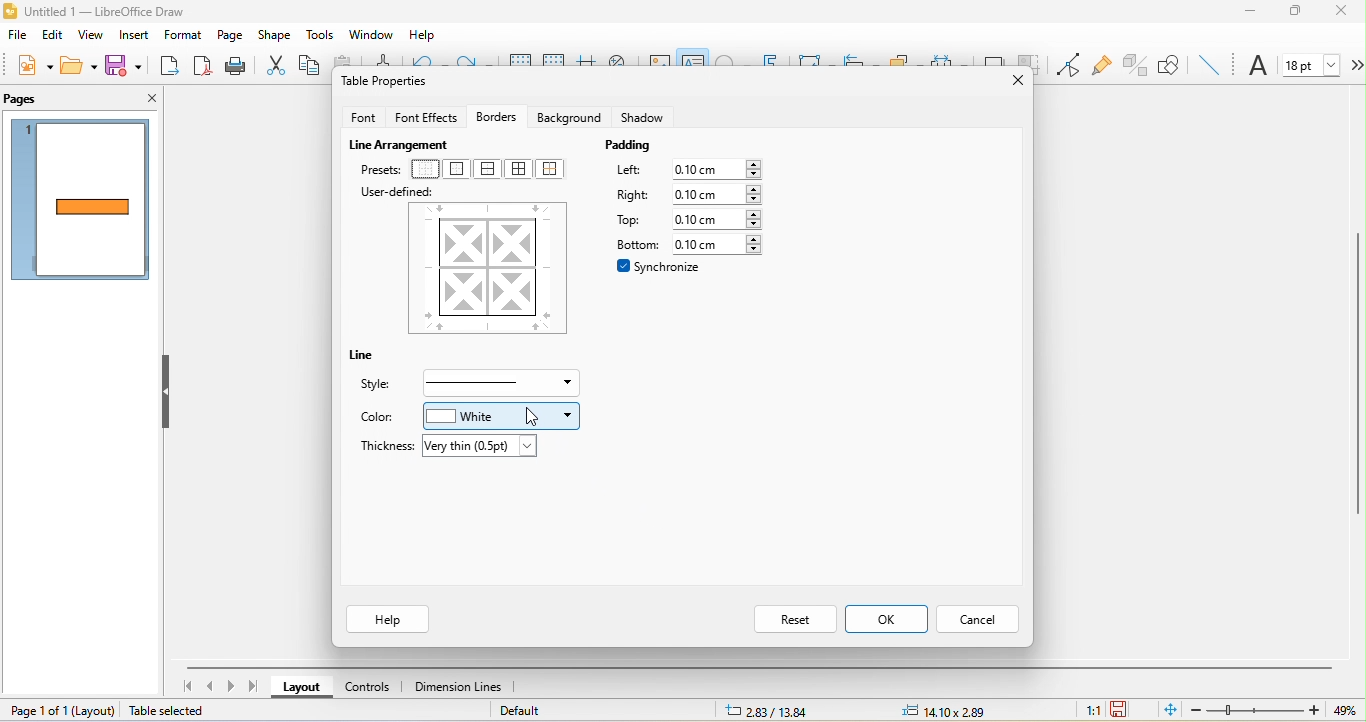  What do you see at coordinates (491, 170) in the screenshot?
I see `outer border and horizontal line` at bounding box center [491, 170].